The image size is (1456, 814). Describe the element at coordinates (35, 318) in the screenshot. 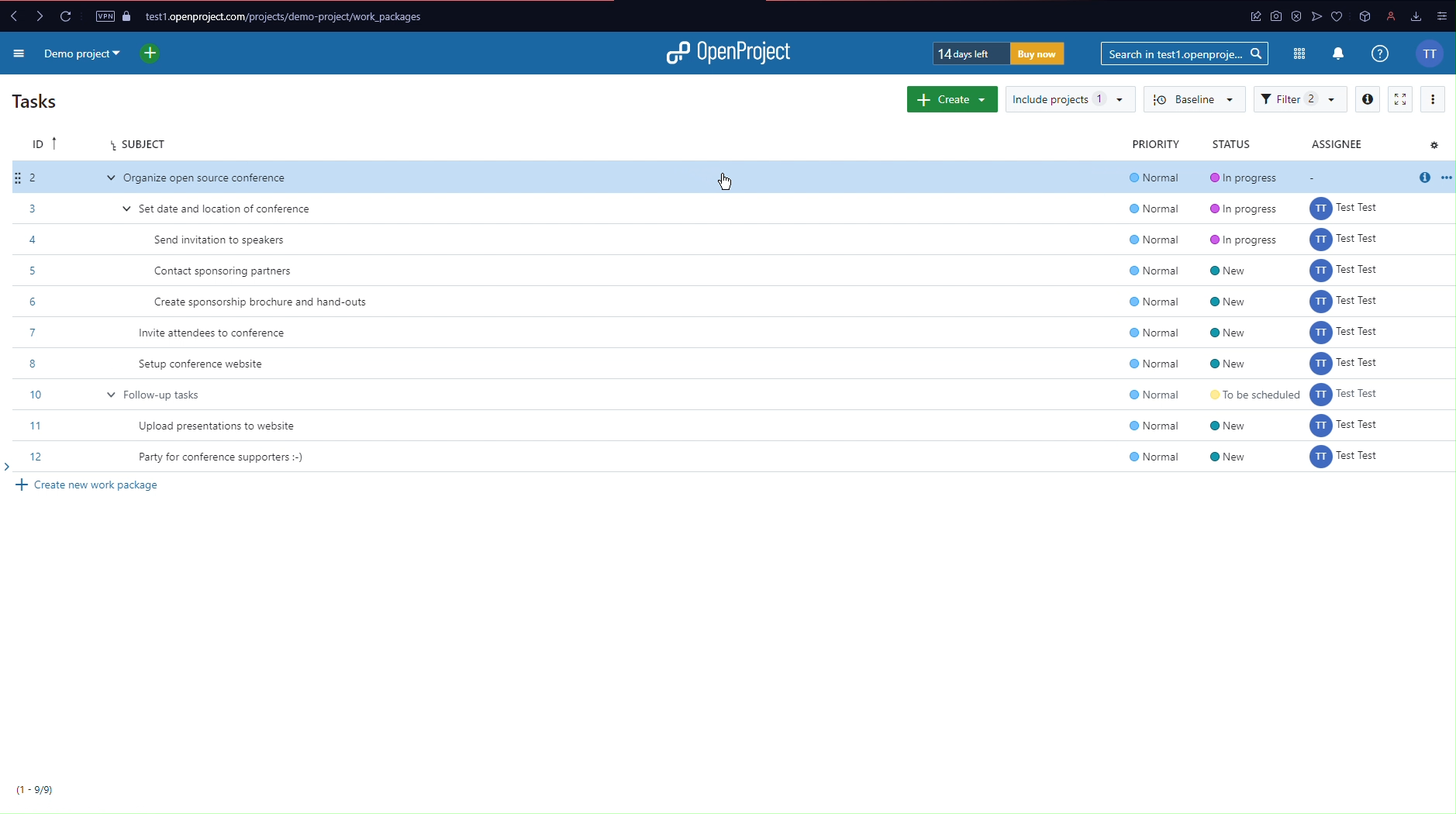

I see `IDs` at that location.